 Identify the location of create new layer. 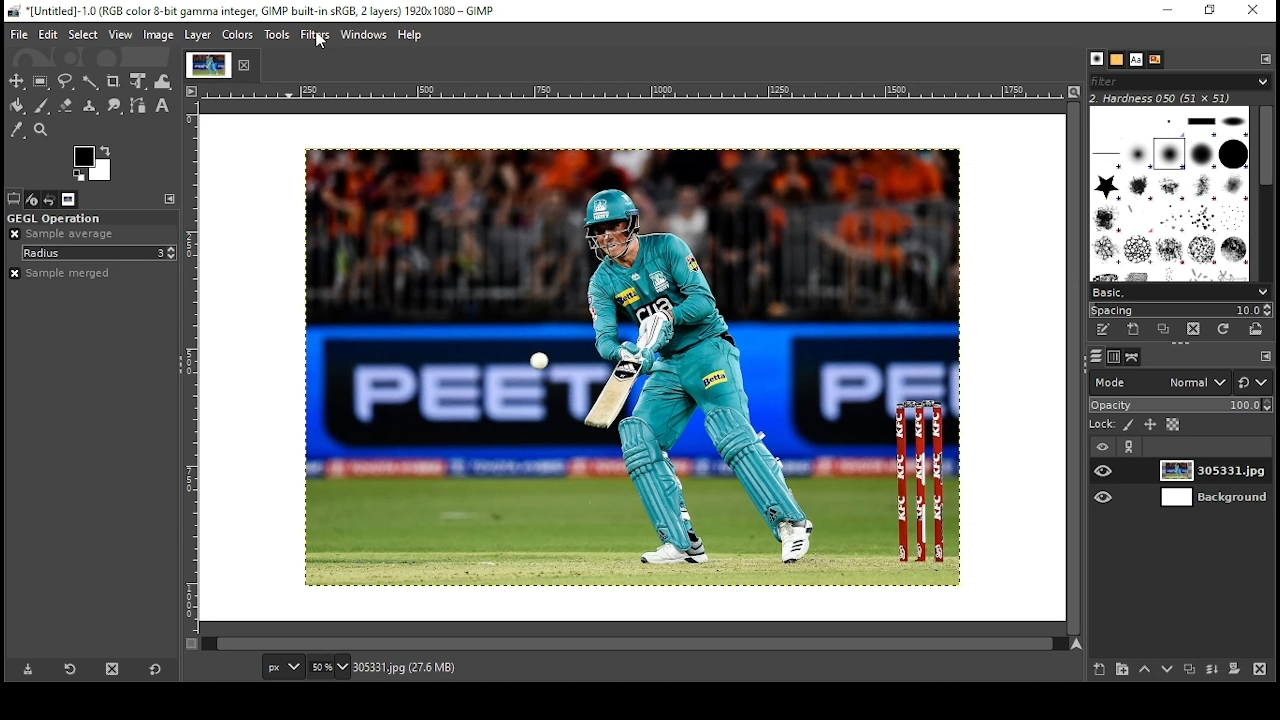
(1100, 670).